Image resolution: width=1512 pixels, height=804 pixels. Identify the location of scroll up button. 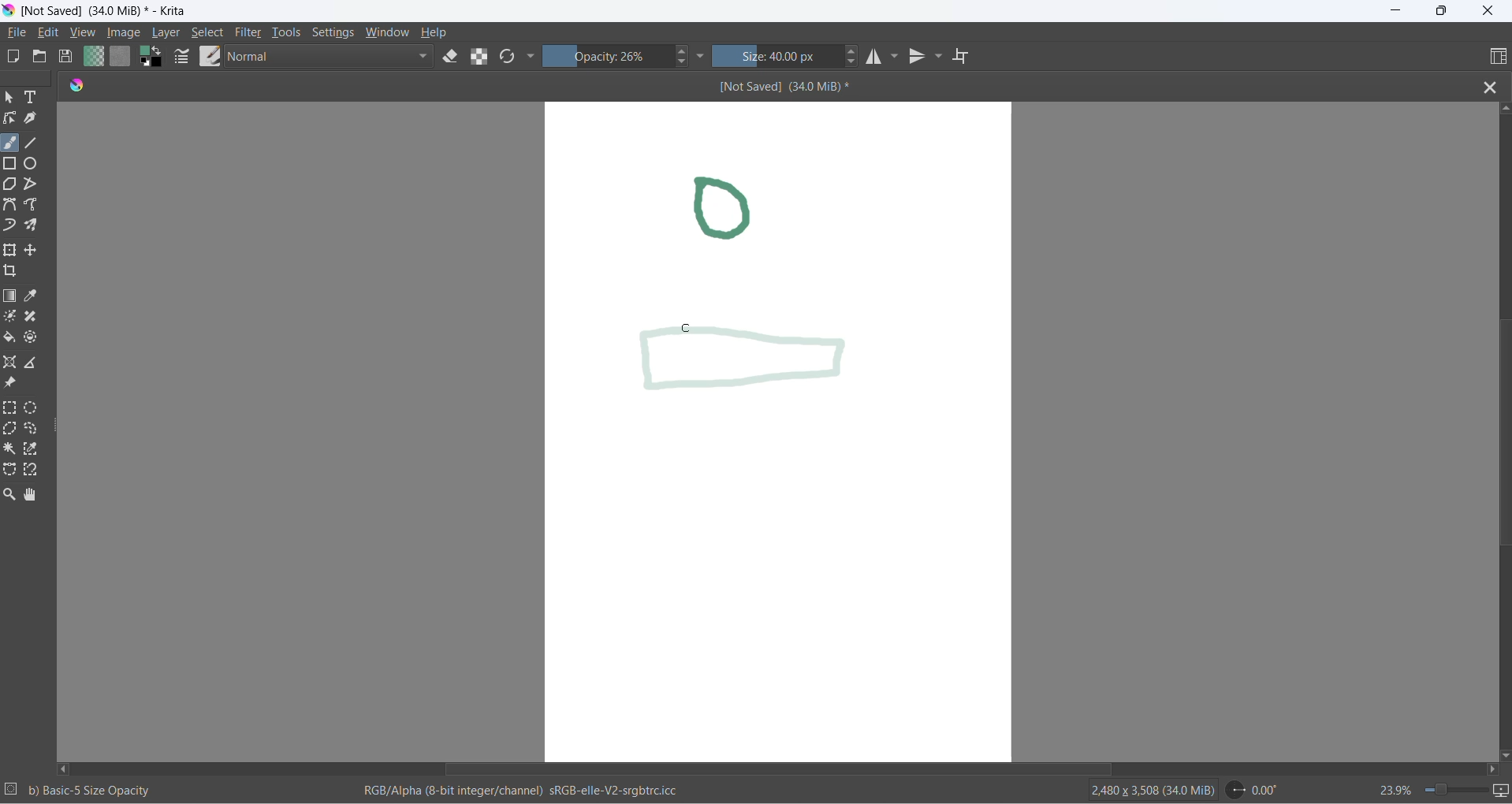
(1503, 109).